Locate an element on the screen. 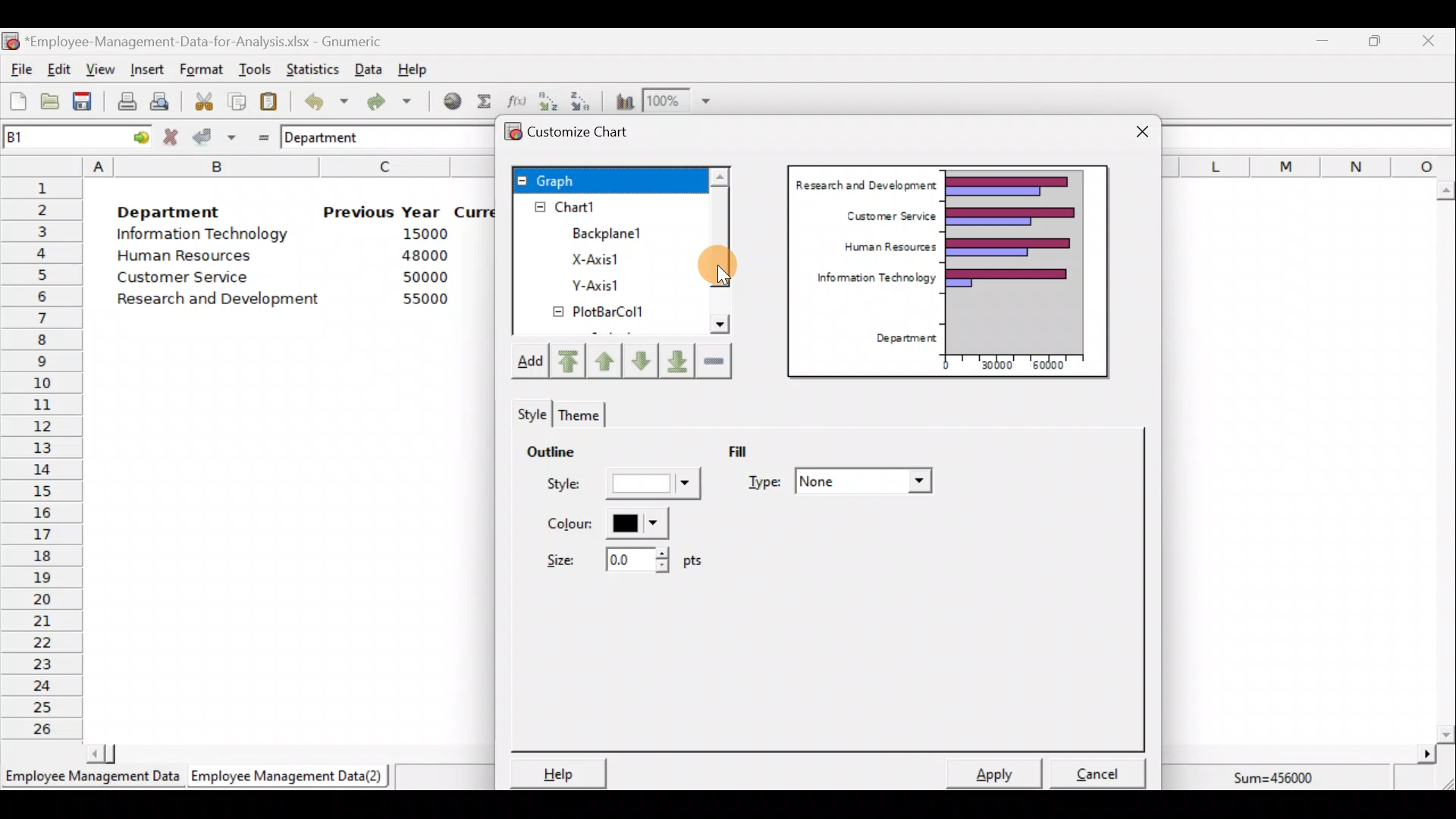  Information Technology is located at coordinates (205, 234).